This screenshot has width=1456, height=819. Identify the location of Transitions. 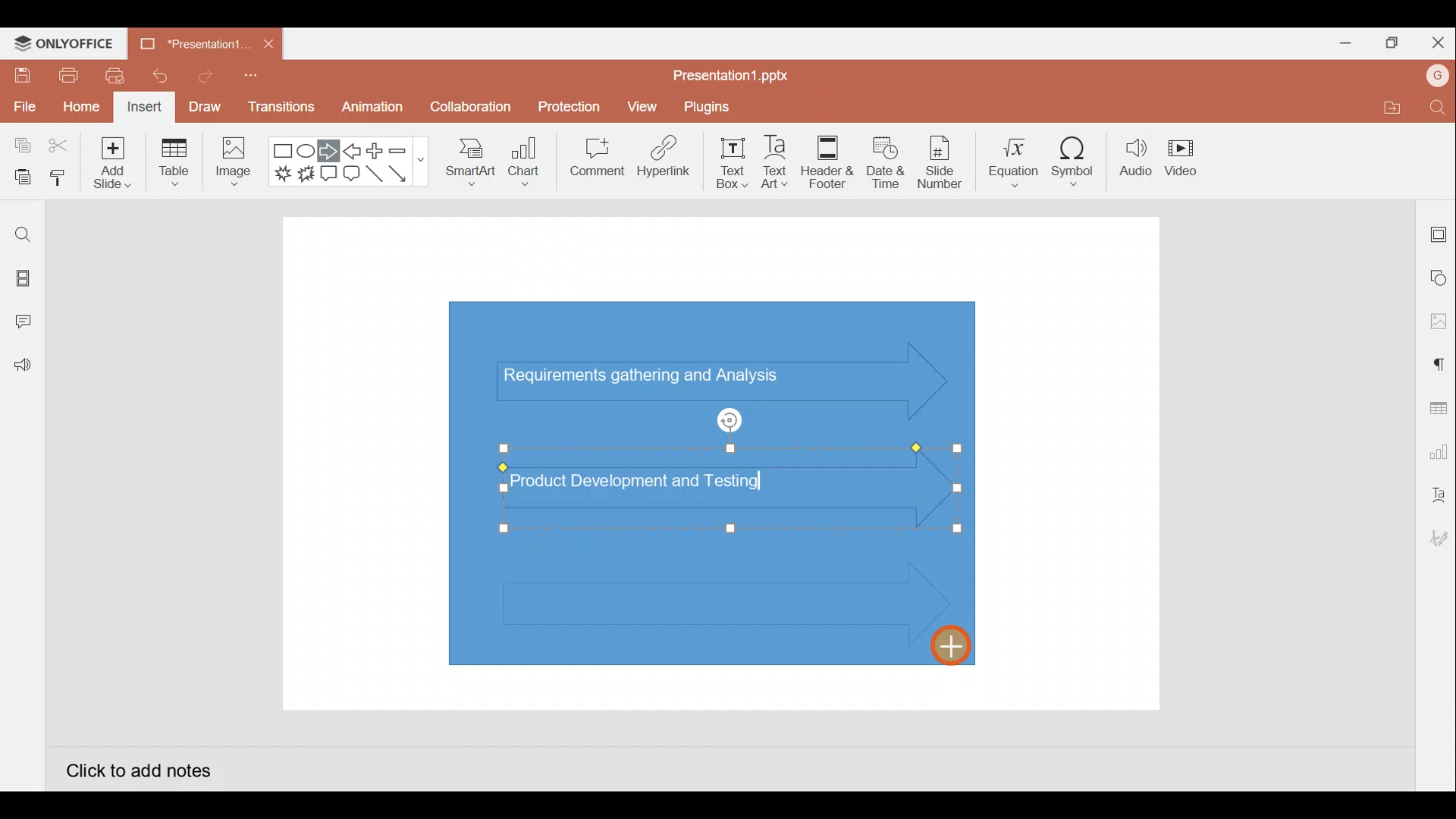
(282, 111).